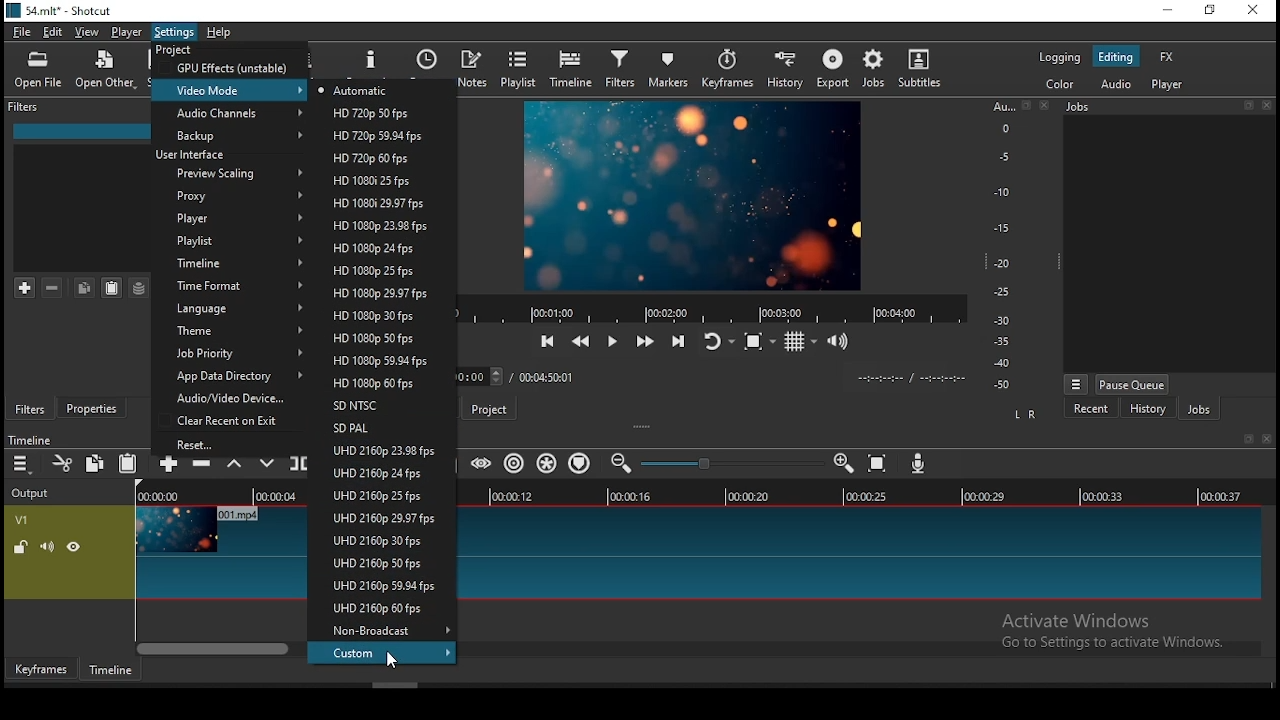 This screenshot has height=720, width=1280. I want to click on copy, so click(95, 462).